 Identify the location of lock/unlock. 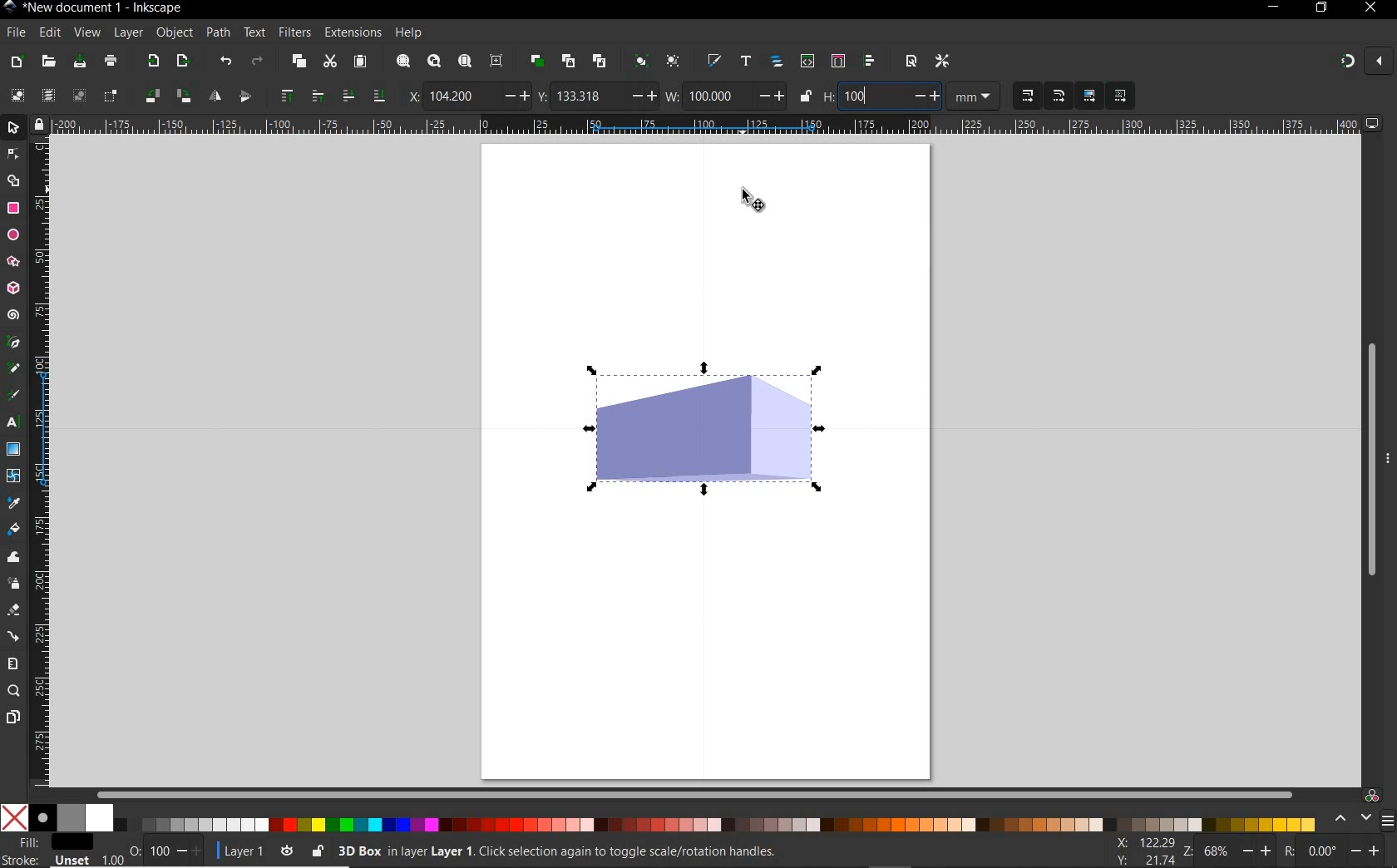
(316, 849).